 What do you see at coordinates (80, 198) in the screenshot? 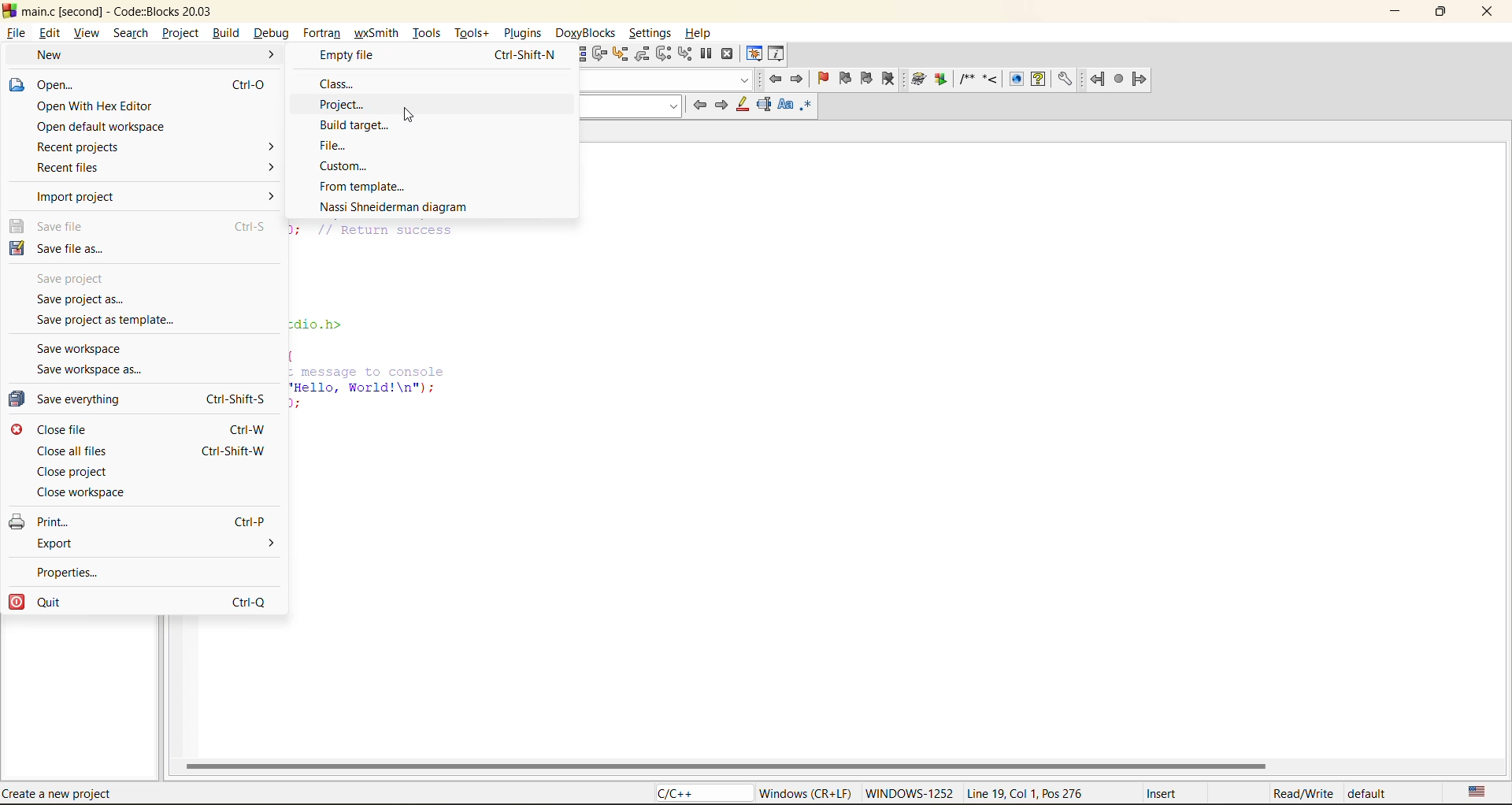
I see `import project` at bounding box center [80, 198].